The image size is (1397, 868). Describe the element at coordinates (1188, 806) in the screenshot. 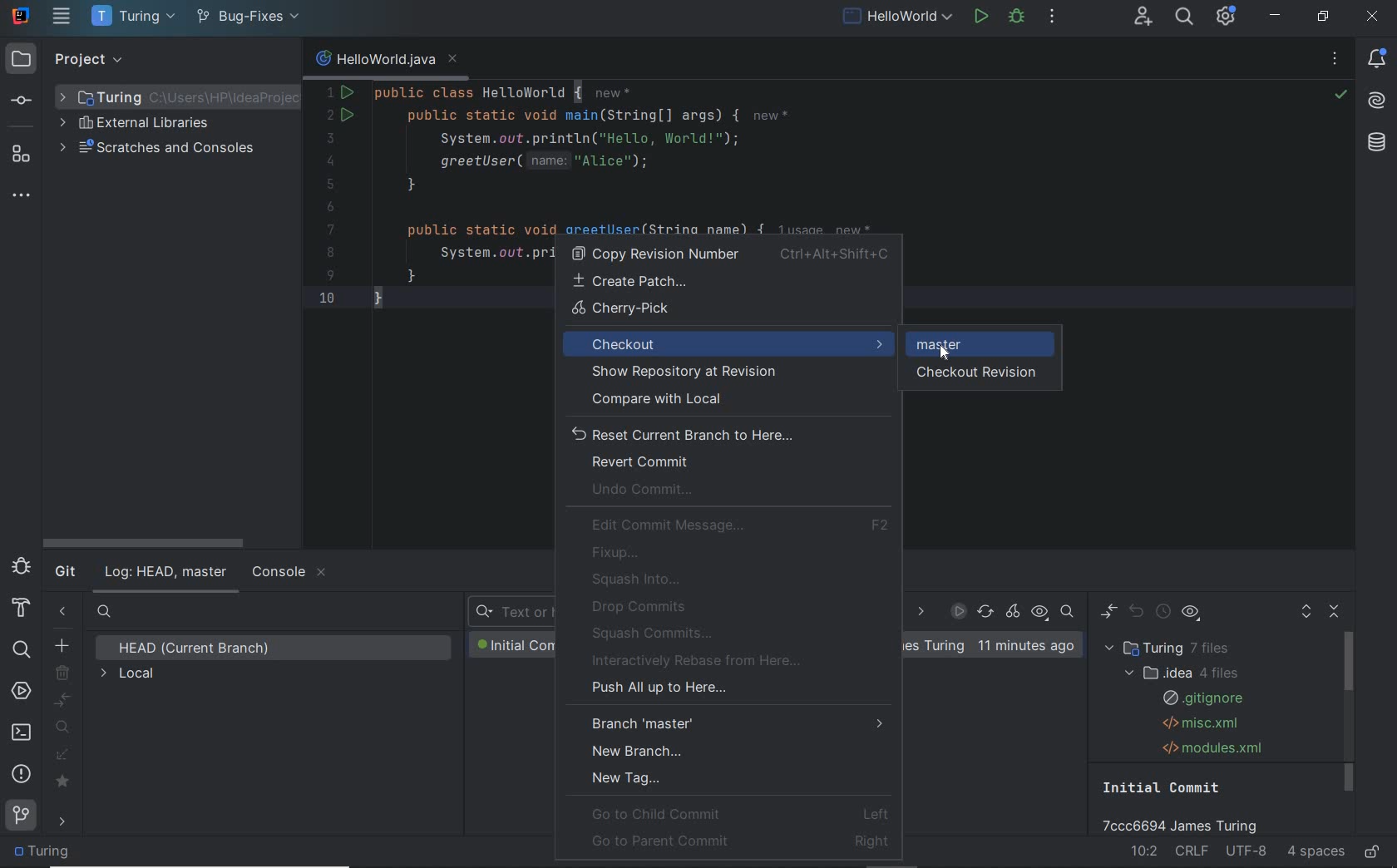

I see `Commit name` at that location.